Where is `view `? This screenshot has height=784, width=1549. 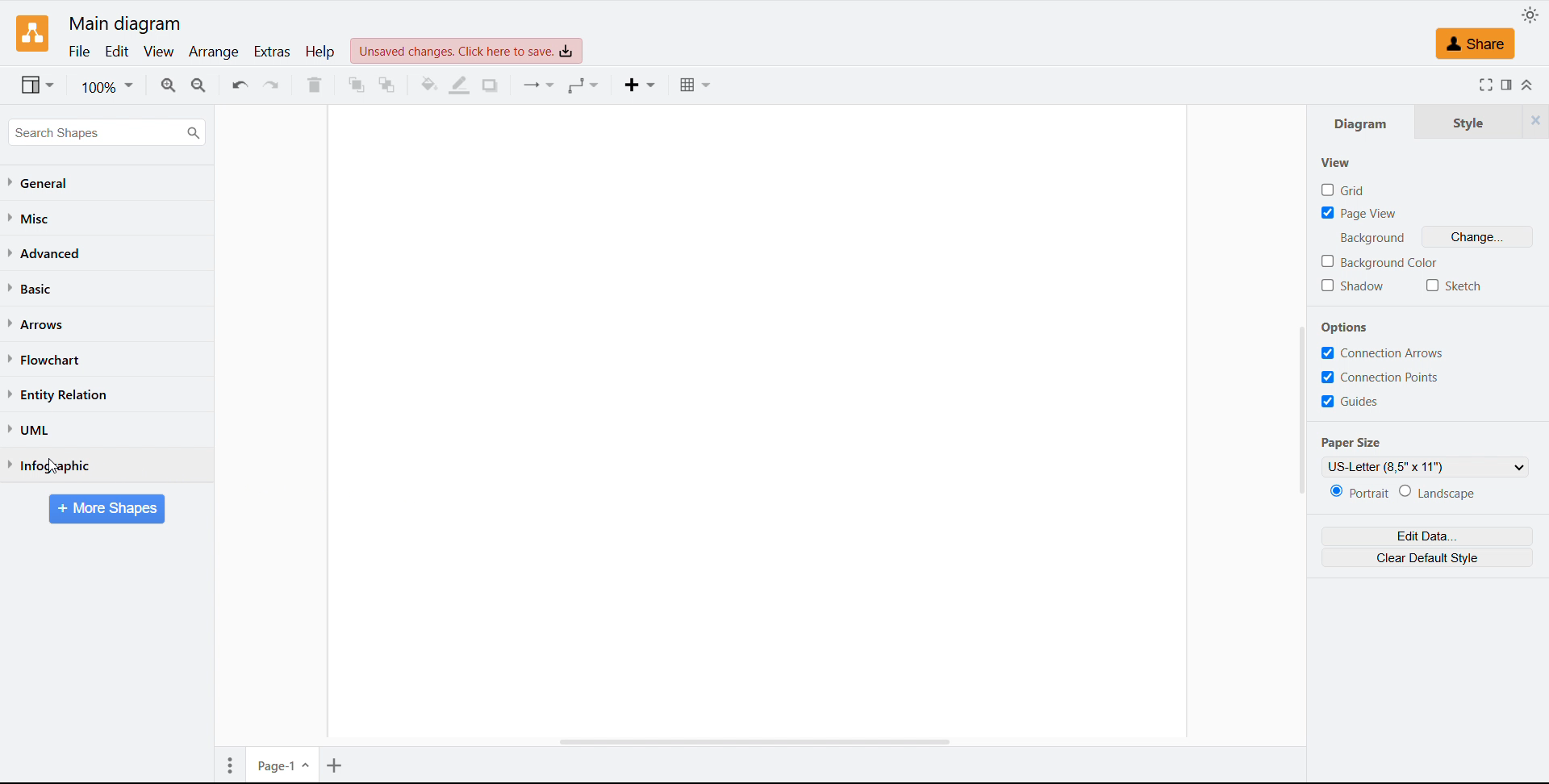 view  is located at coordinates (159, 52).